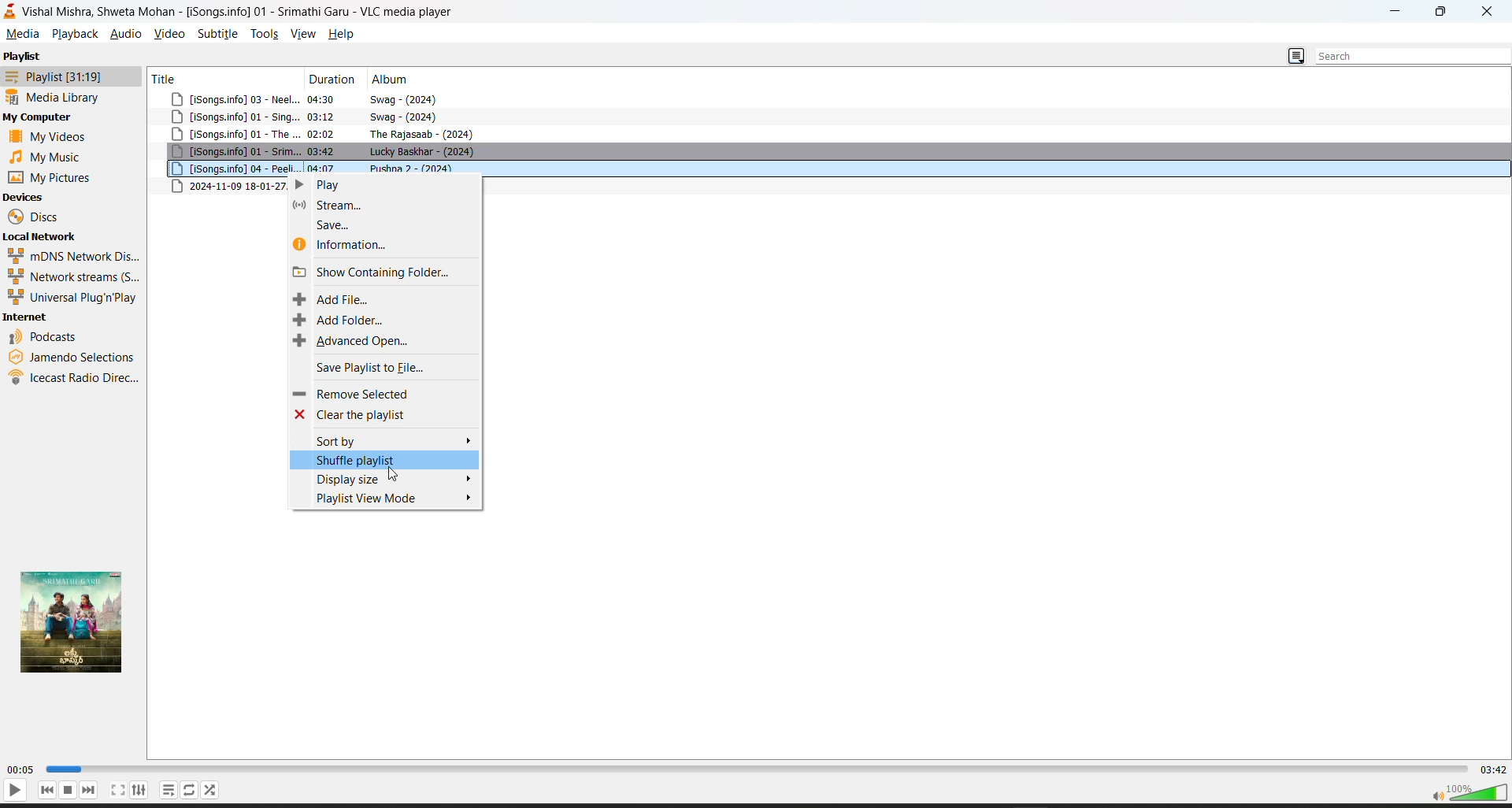 The width and height of the screenshot is (1512, 808). What do you see at coordinates (91, 790) in the screenshot?
I see `next` at bounding box center [91, 790].